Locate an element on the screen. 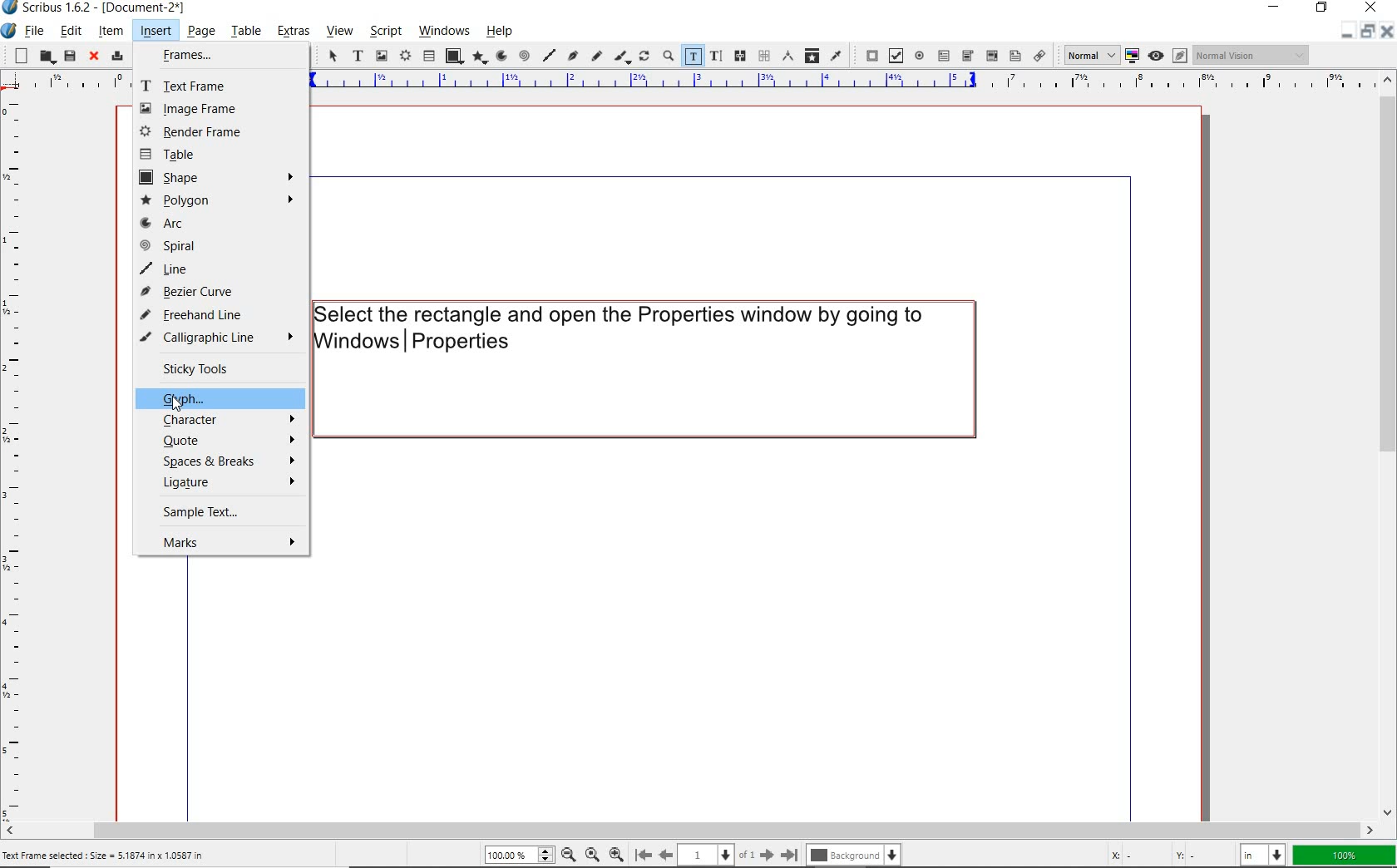 This screenshot has height=868, width=1397. glyph is located at coordinates (230, 398).